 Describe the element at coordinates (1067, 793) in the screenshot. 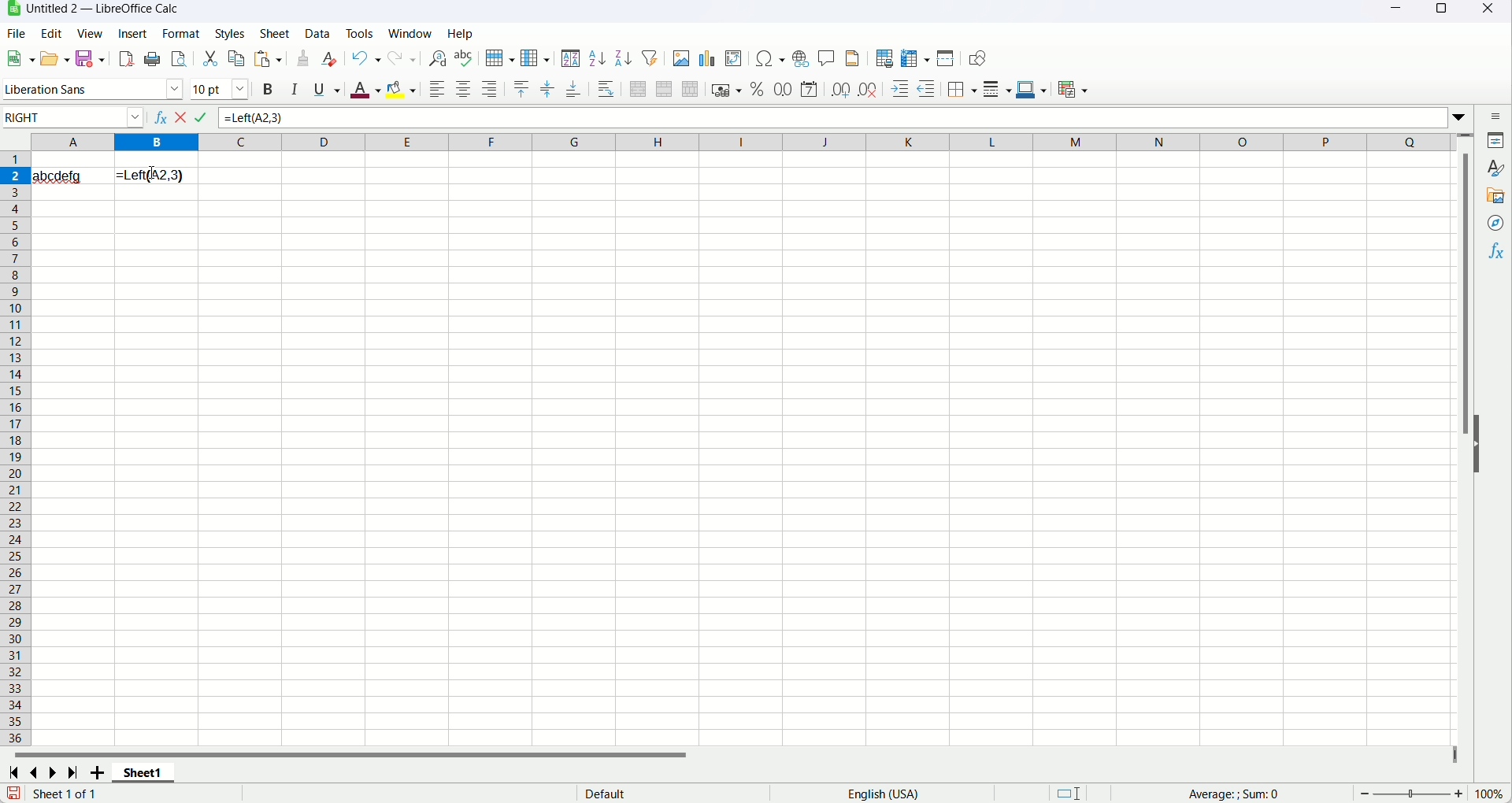

I see `standard selection` at that location.